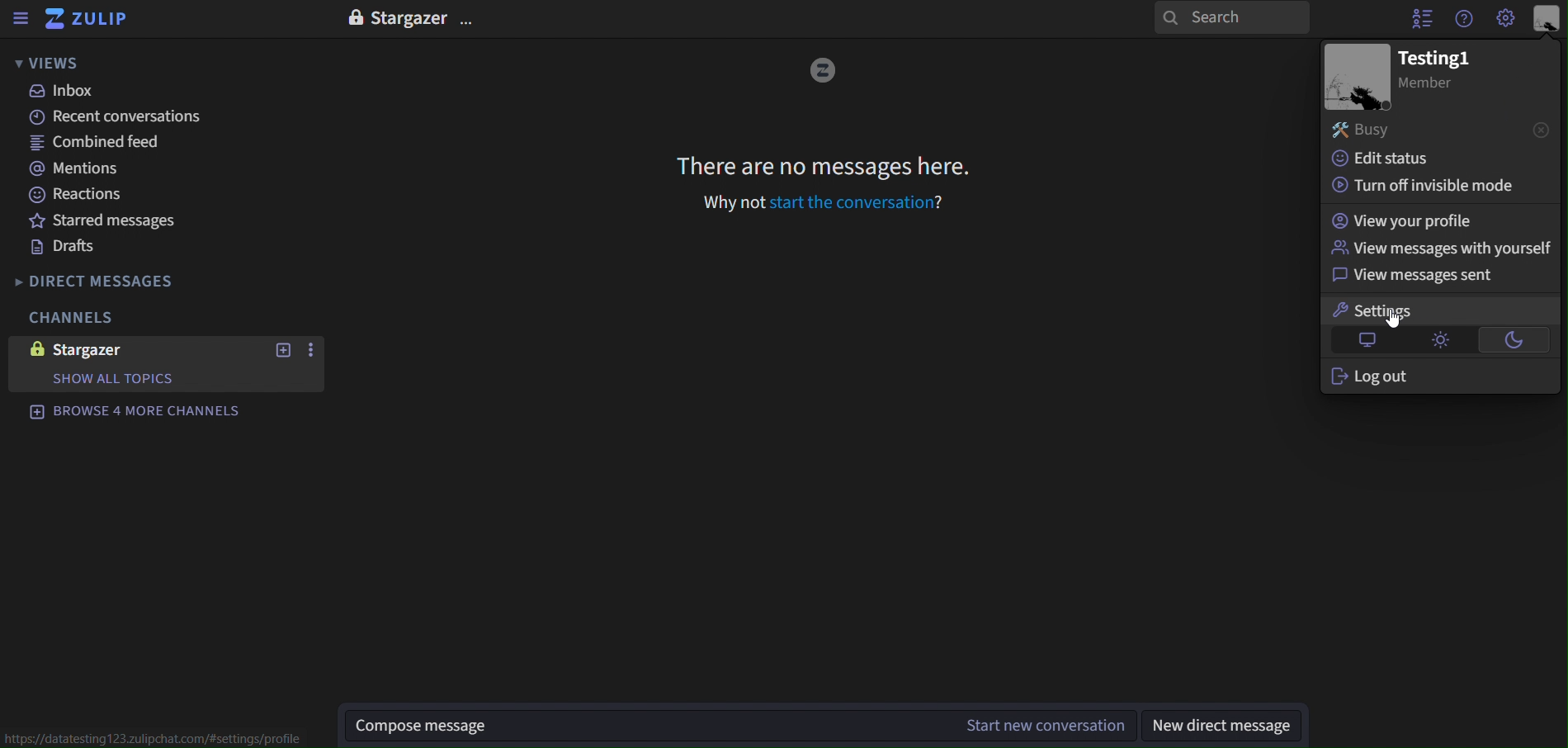 This screenshot has width=1568, height=748. I want to click on default, so click(1367, 342).